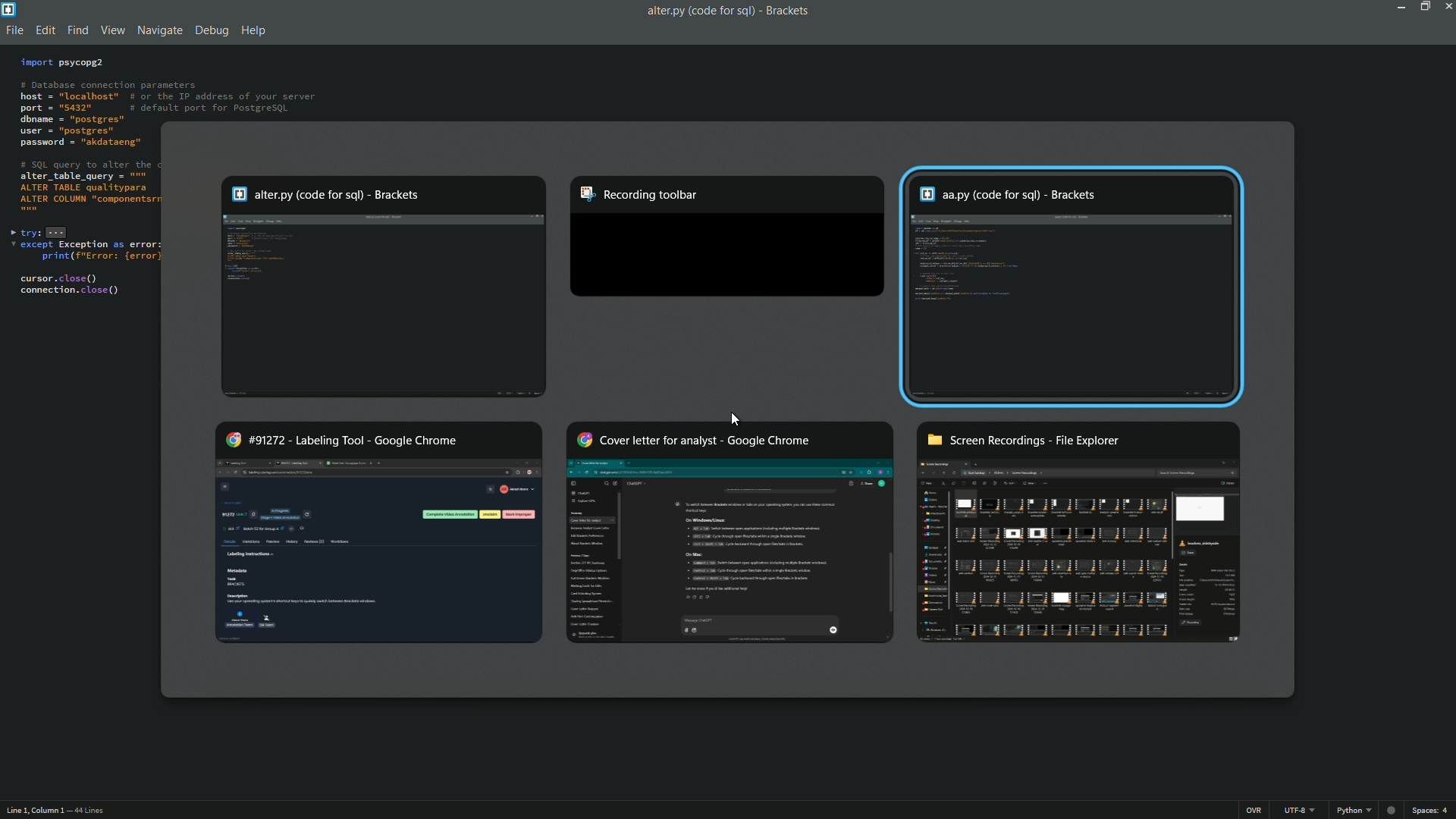 The width and height of the screenshot is (1456, 819). Describe the element at coordinates (1080, 534) in the screenshot. I see `screen recording-file explorer window` at that location.